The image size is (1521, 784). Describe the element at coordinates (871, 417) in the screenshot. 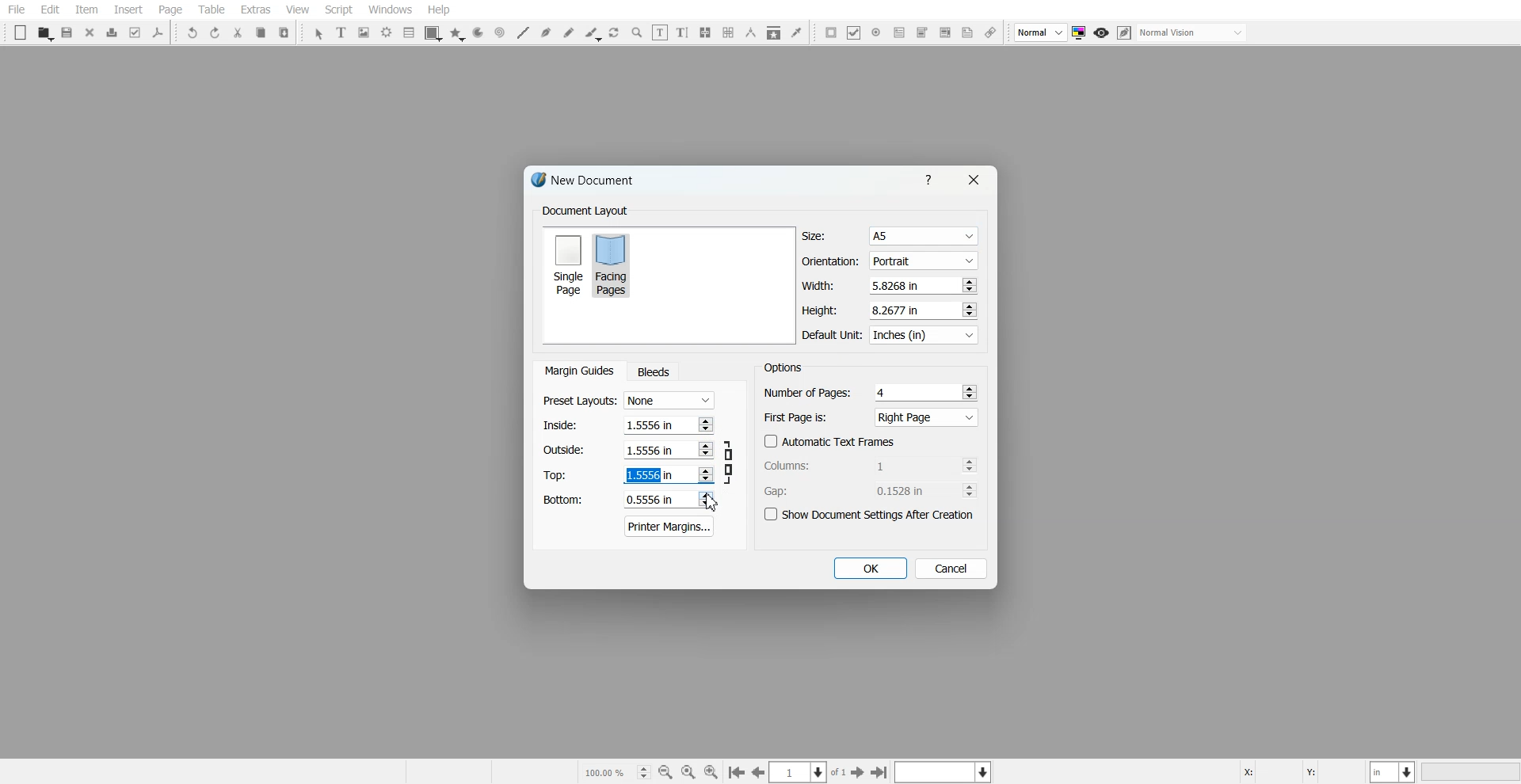

I see `First Page is` at that location.